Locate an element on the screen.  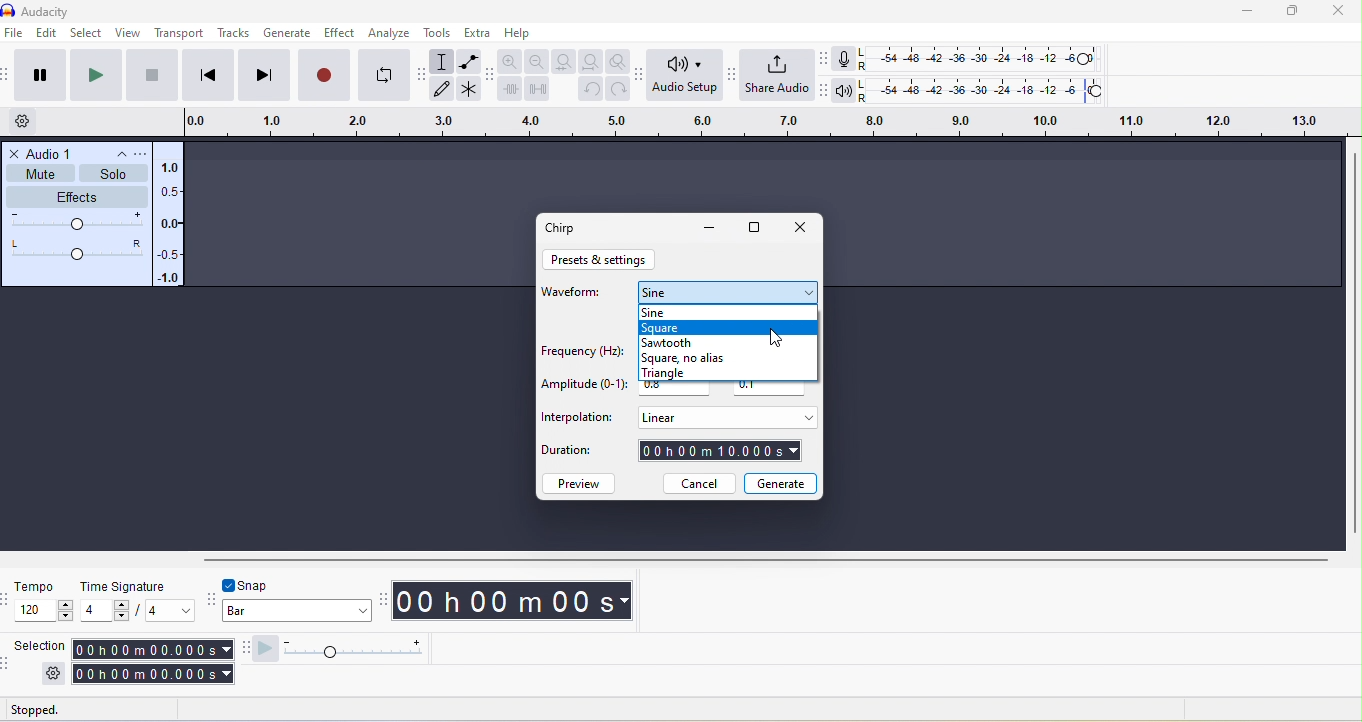
presets & settings is located at coordinates (601, 260).